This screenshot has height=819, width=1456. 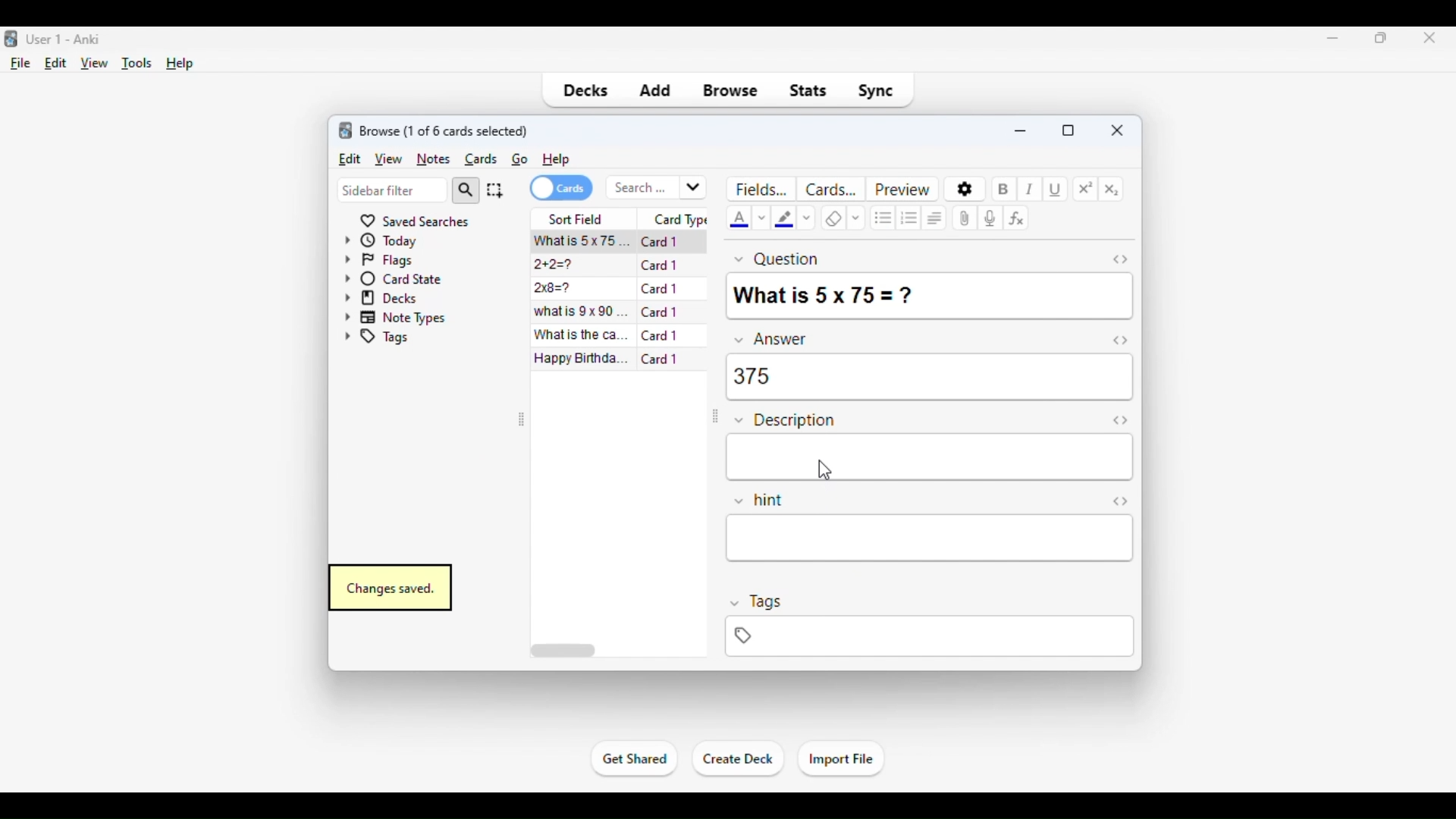 I want to click on close, so click(x=1425, y=39).